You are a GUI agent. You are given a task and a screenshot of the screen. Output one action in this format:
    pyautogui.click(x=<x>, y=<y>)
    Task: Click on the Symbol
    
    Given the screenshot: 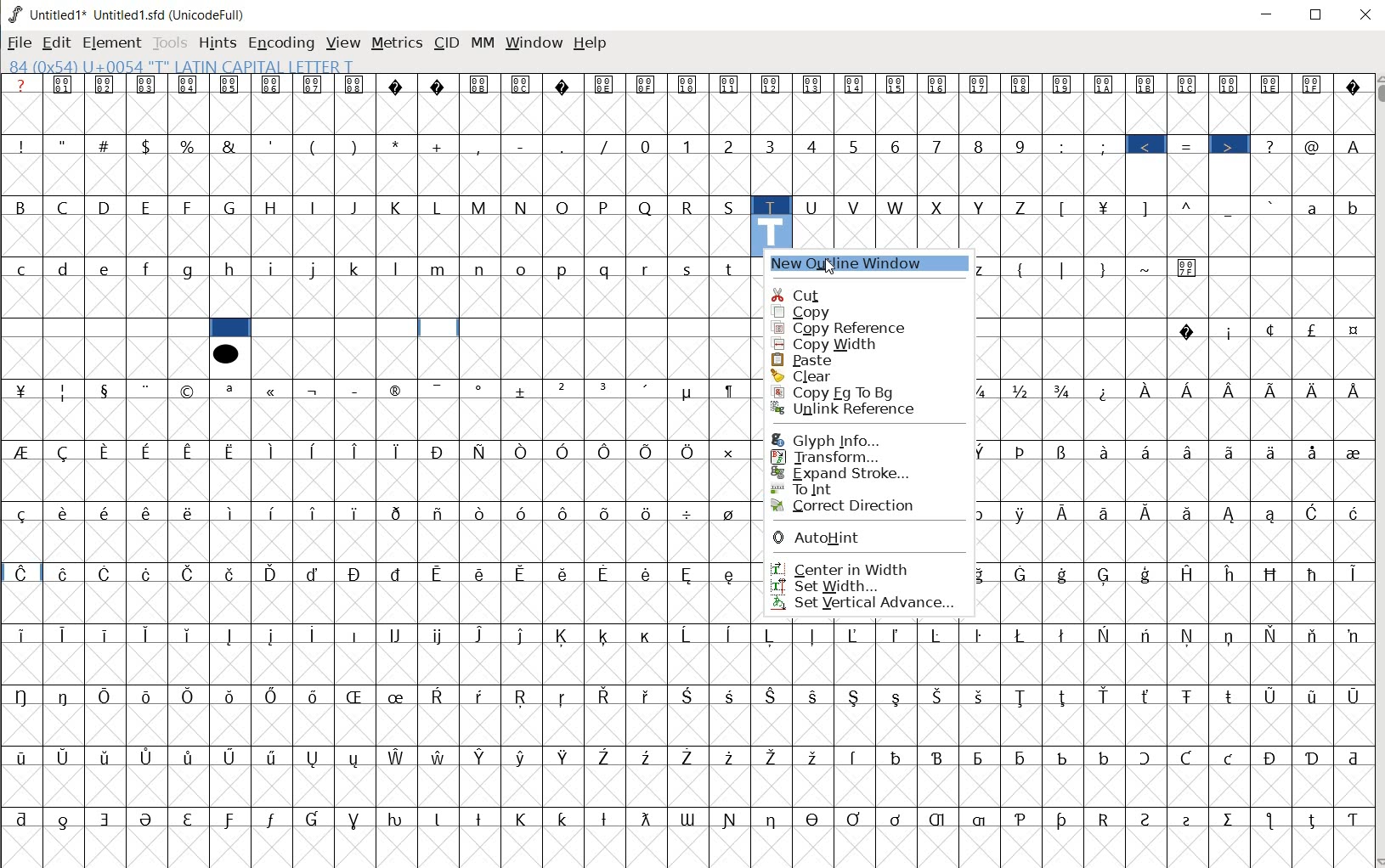 What is the action you would take?
    pyautogui.click(x=1105, y=818)
    